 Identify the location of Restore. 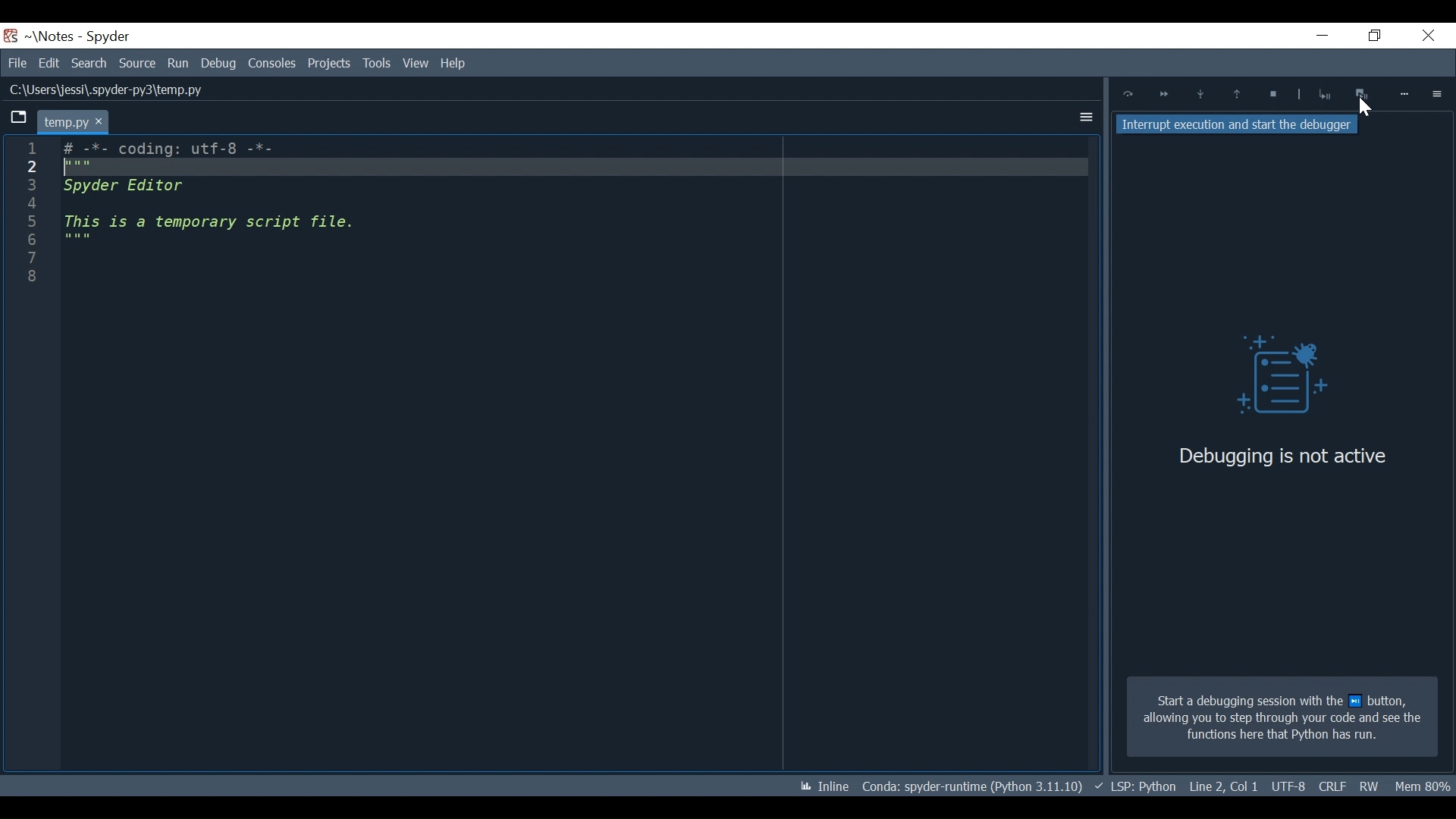
(1370, 36).